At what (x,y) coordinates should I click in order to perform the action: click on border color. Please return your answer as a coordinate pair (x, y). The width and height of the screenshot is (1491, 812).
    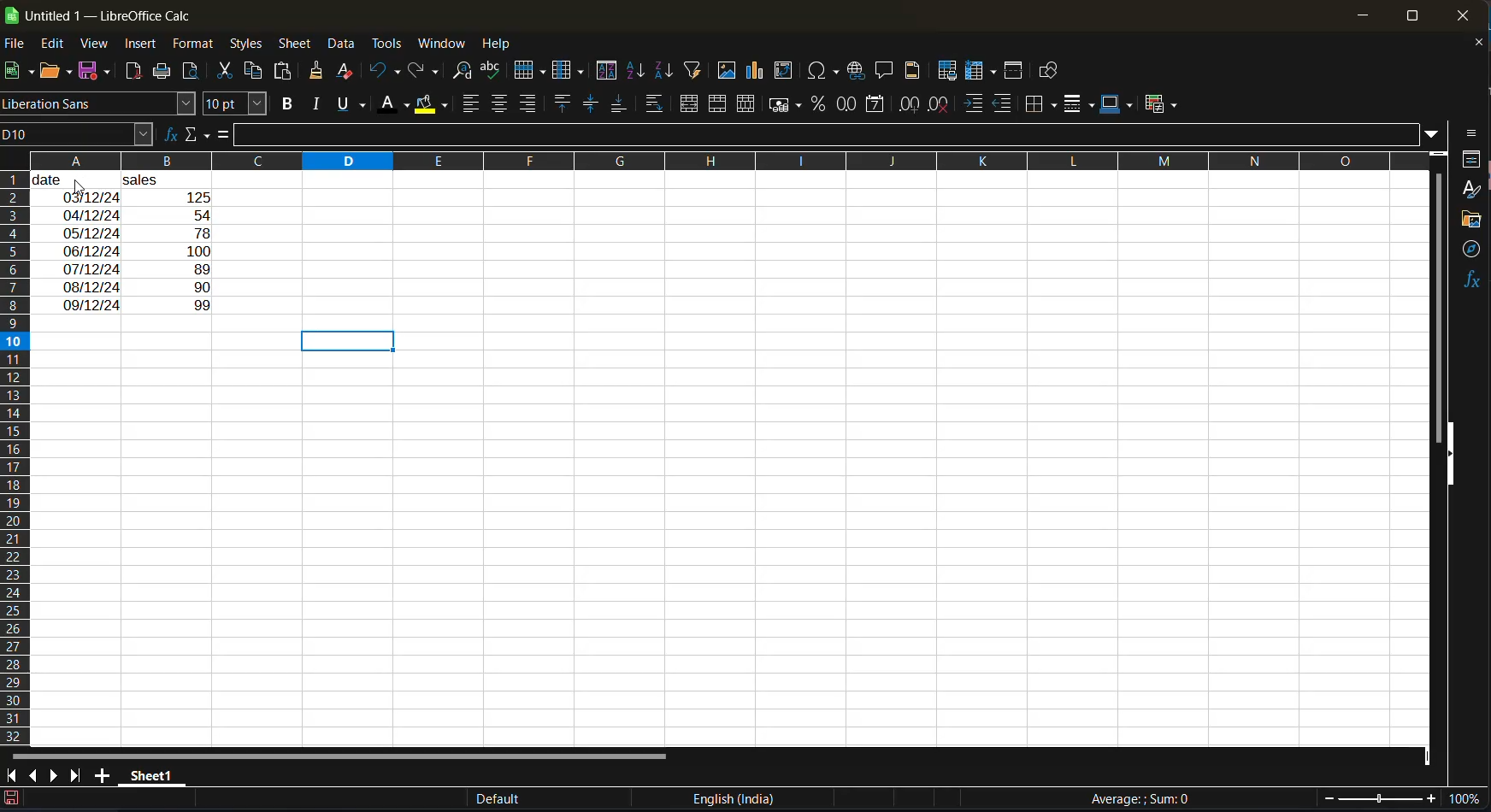
    Looking at the image, I should click on (1116, 105).